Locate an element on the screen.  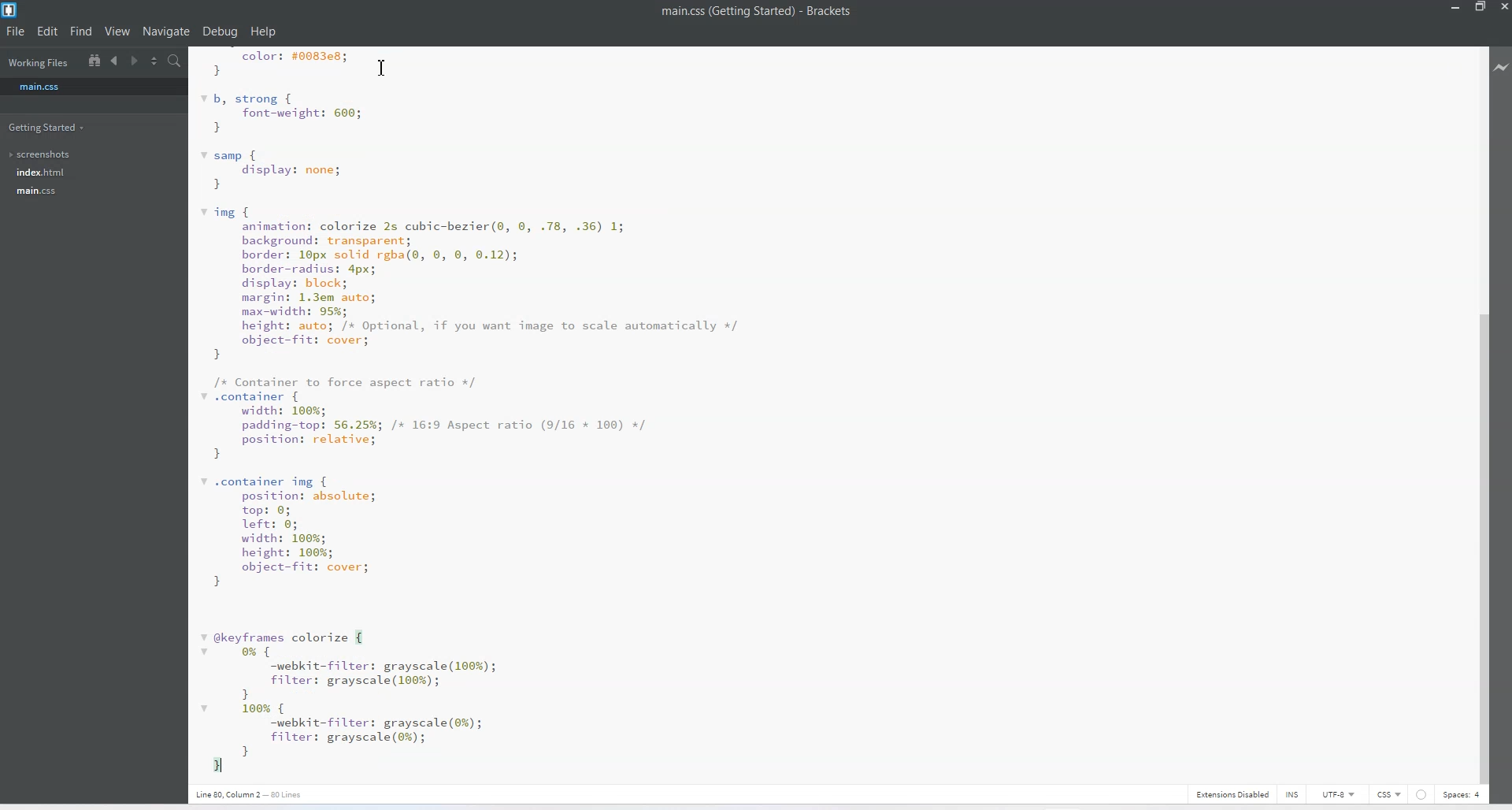
Vertical Scroll Bar is located at coordinates (1479, 411).